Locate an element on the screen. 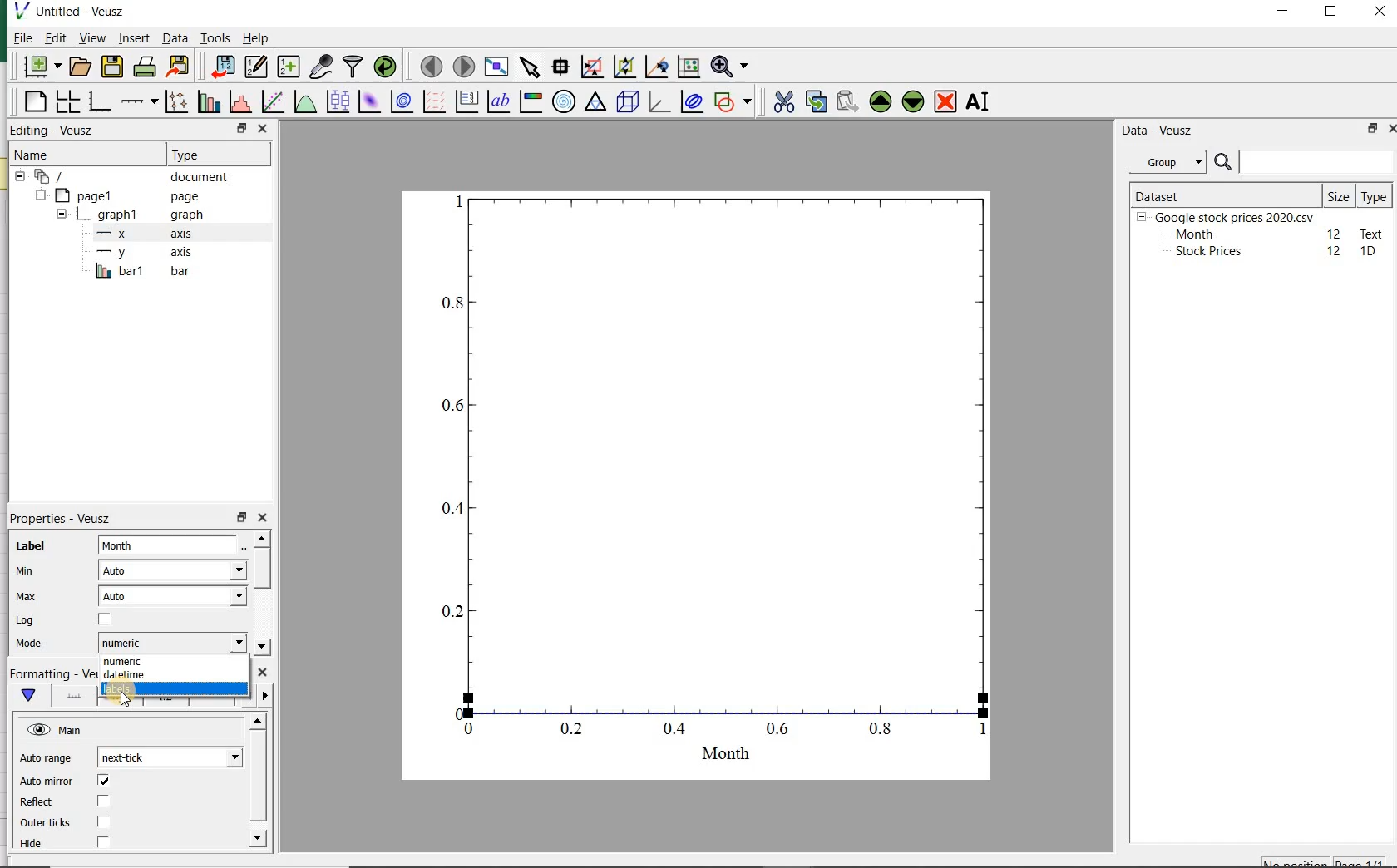 This screenshot has height=868, width=1397. base graph is located at coordinates (99, 102).